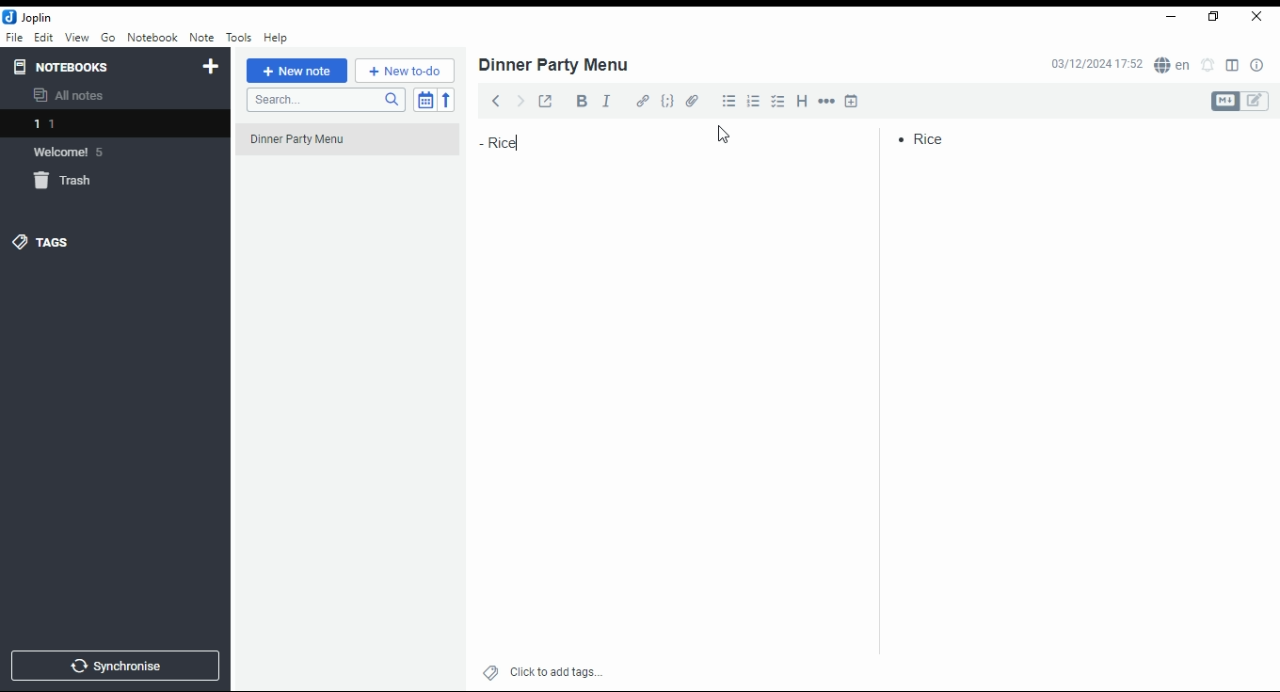 This screenshot has height=692, width=1280. What do you see at coordinates (448, 99) in the screenshot?
I see `reverse sort order` at bounding box center [448, 99].